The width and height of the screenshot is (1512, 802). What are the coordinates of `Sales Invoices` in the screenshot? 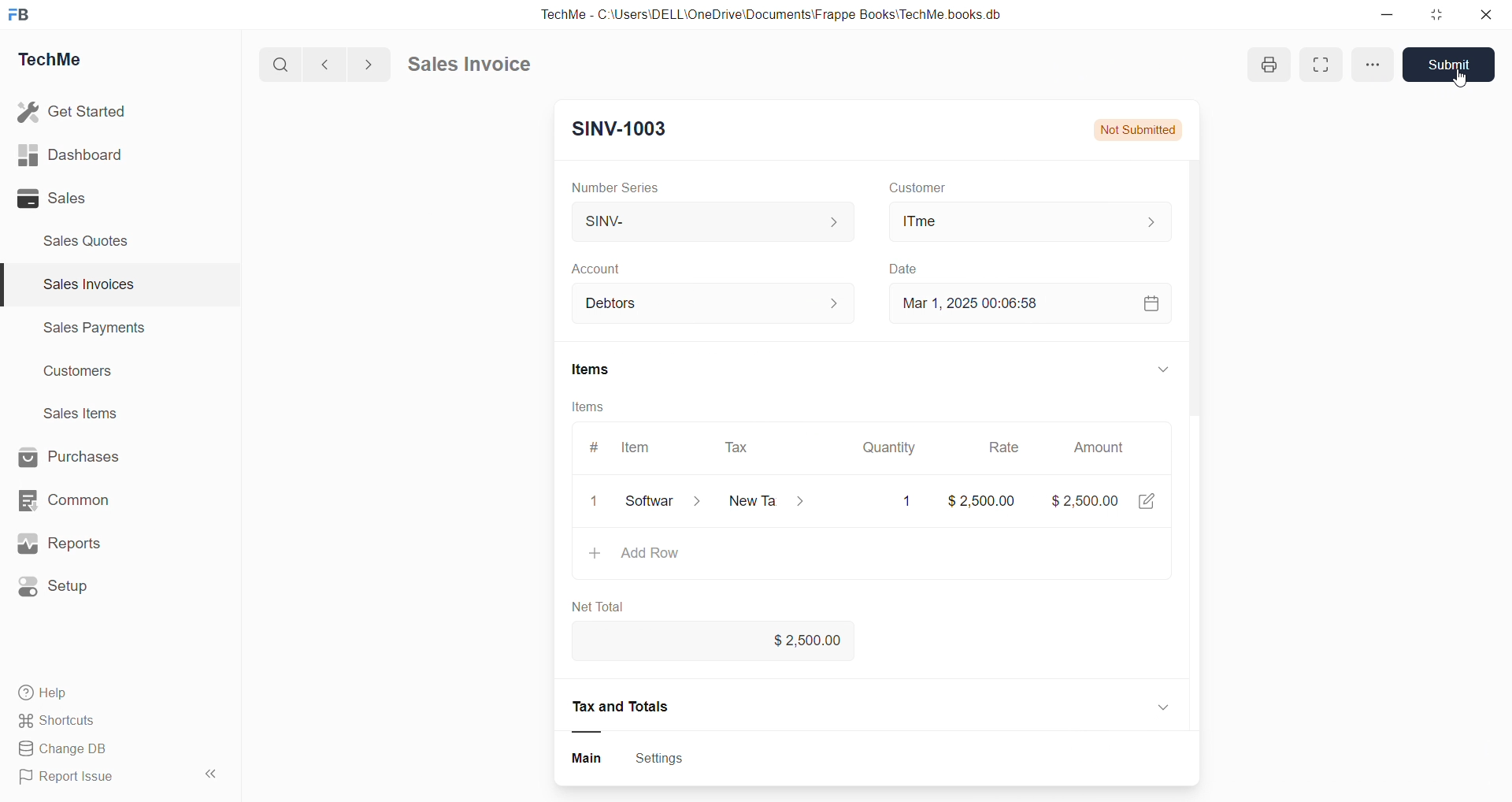 It's located at (82, 287).